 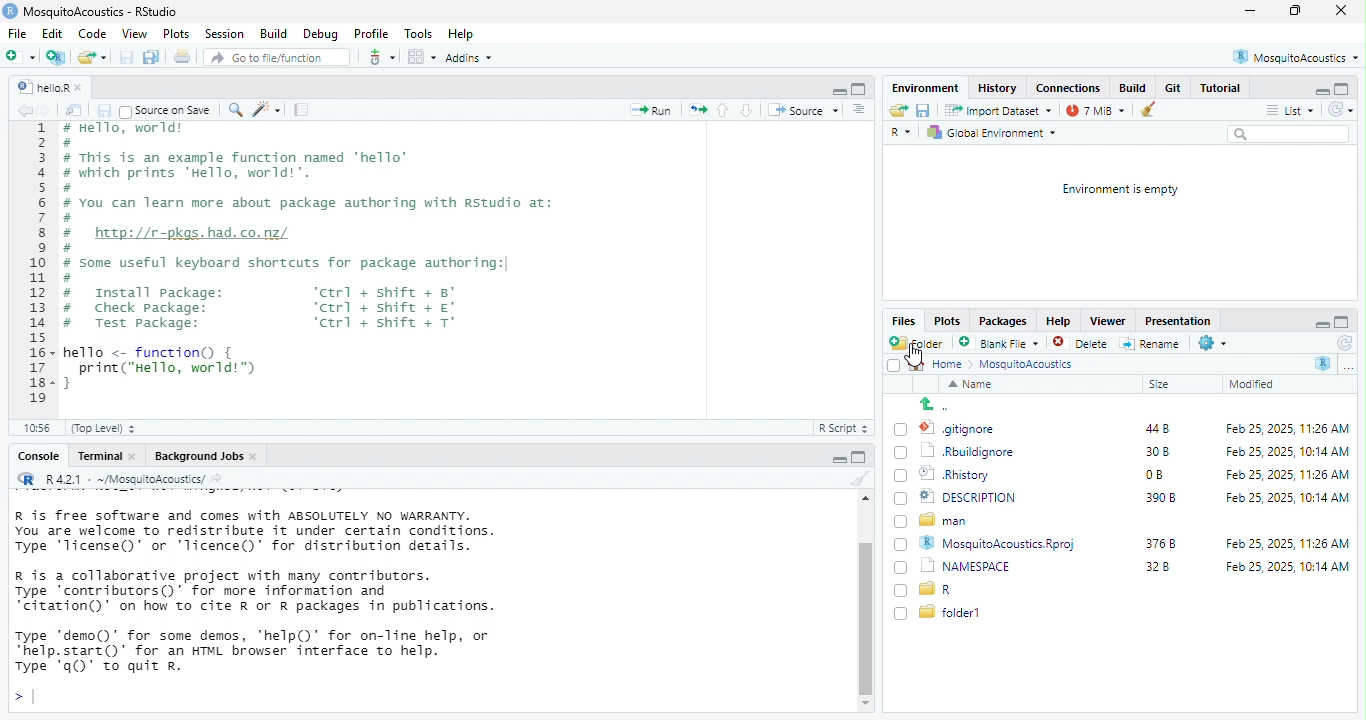 I want to click on open an existing file, so click(x=900, y=112).